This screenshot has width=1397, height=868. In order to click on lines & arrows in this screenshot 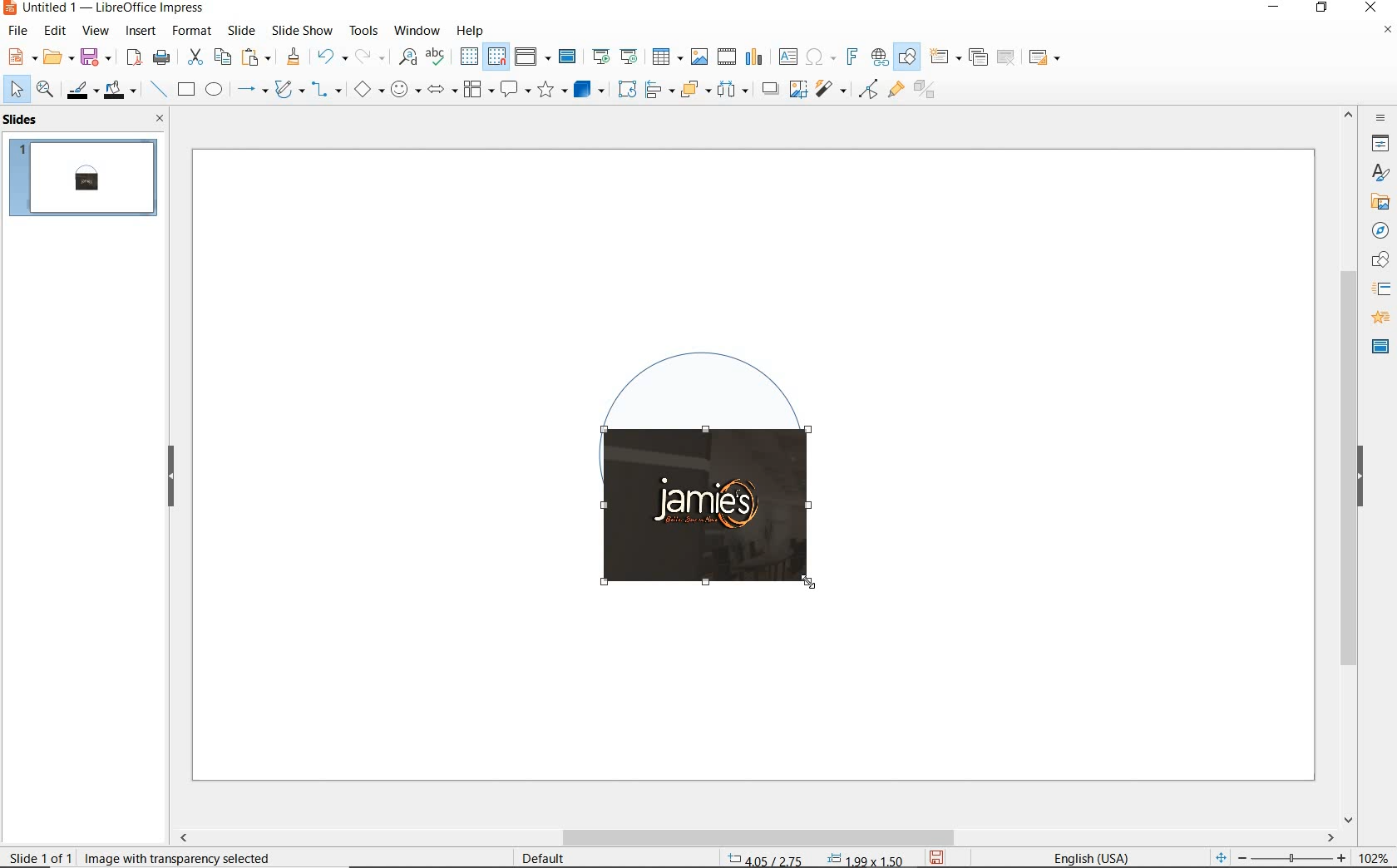, I will do `click(251, 91)`.